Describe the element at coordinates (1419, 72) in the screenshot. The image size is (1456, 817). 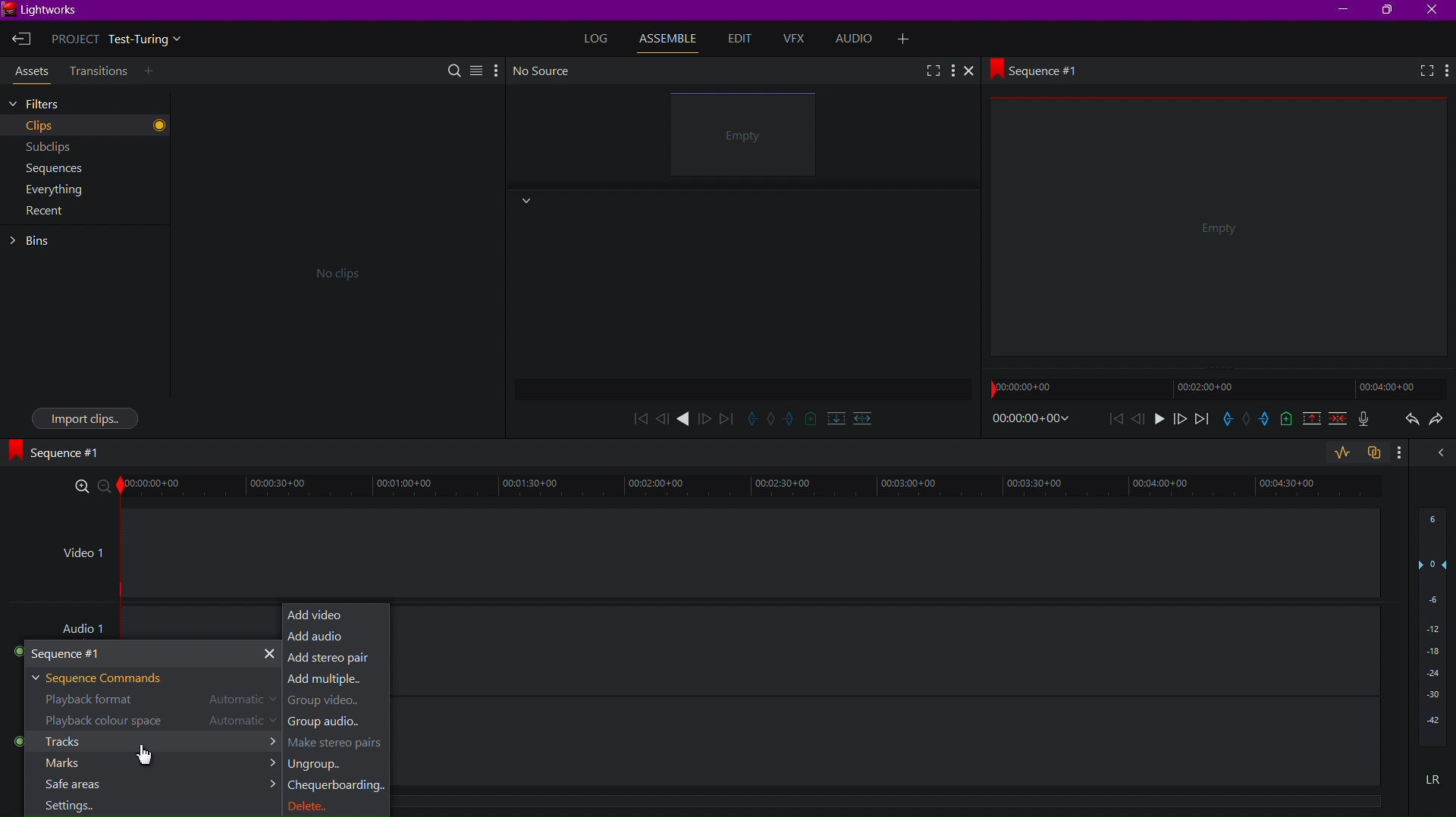
I see `Fullscreen` at that location.